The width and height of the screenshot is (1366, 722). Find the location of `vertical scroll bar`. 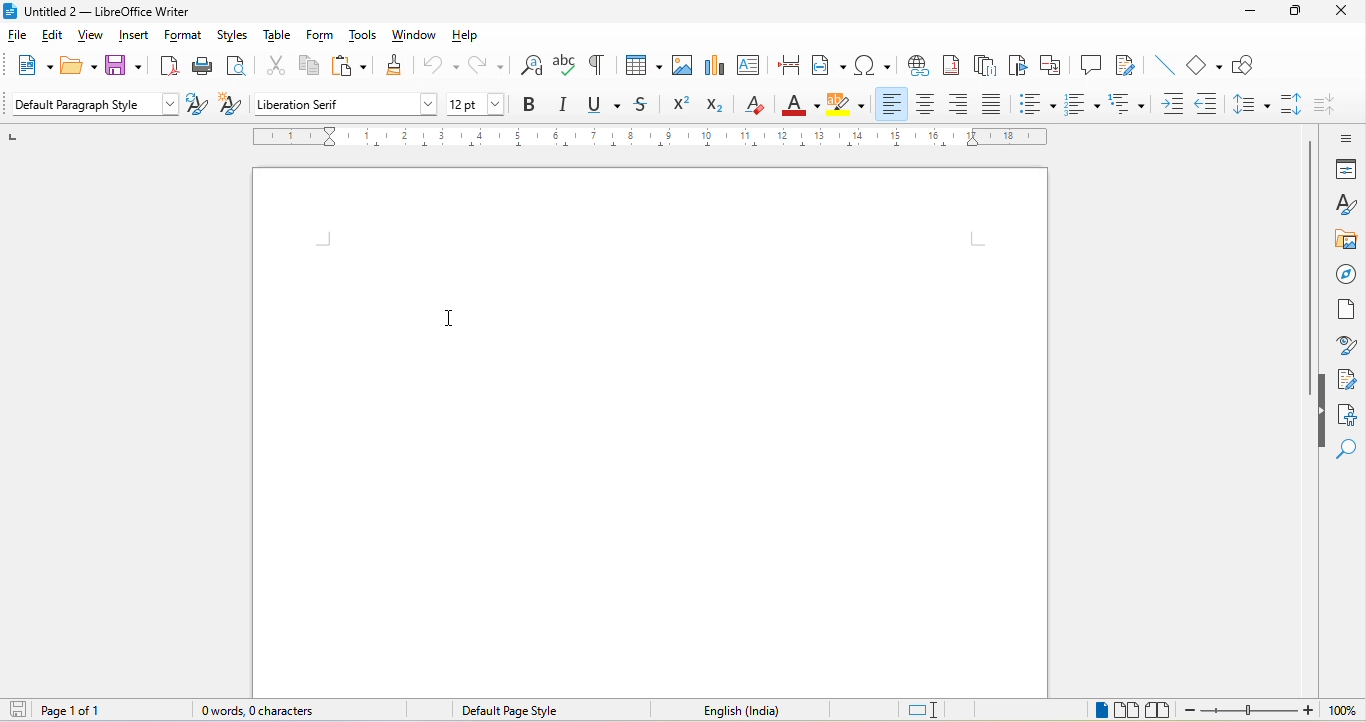

vertical scroll bar is located at coordinates (1308, 269).